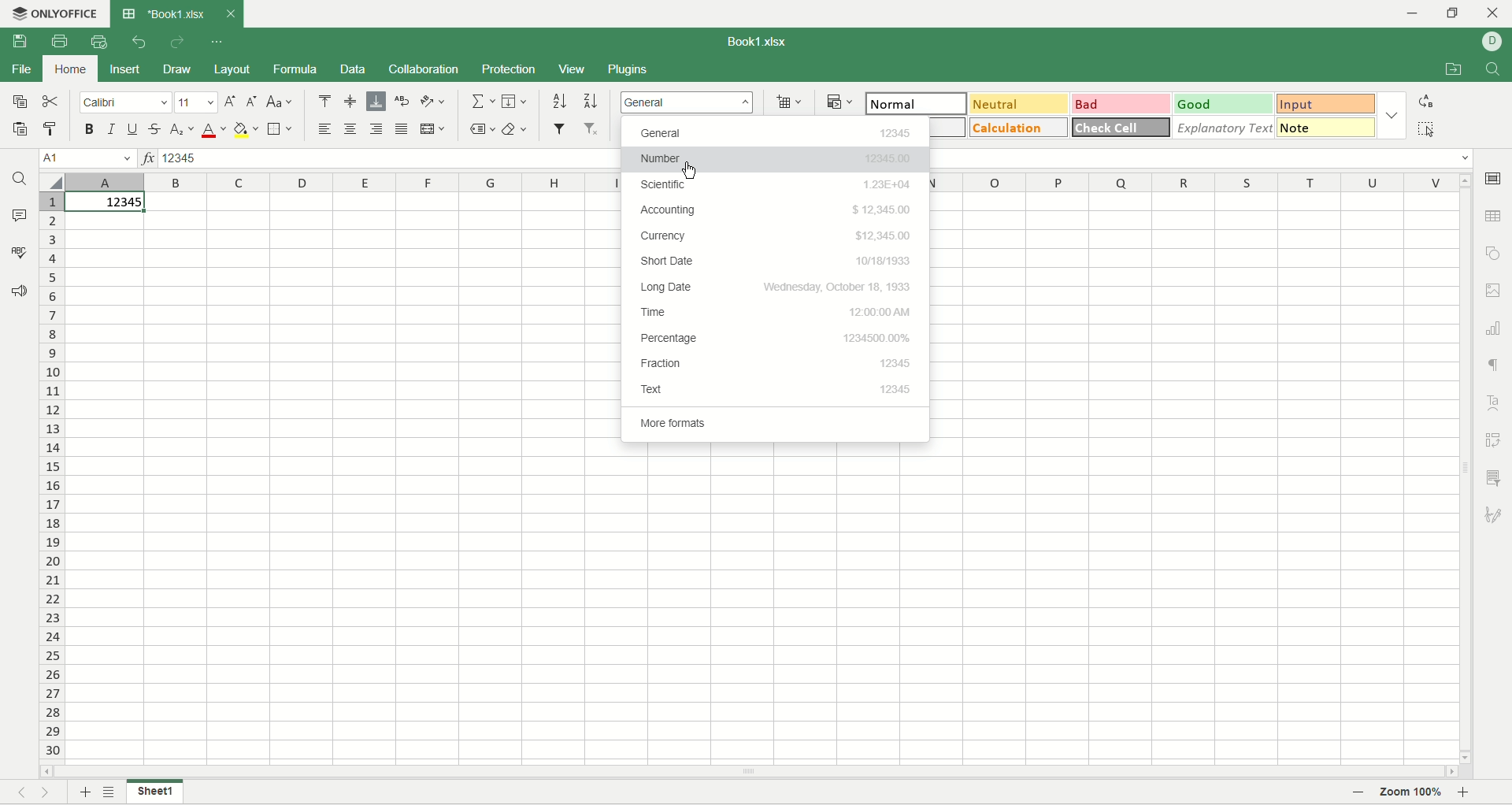 This screenshot has height=805, width=1512. I want to click on redo, so click(181, 44).